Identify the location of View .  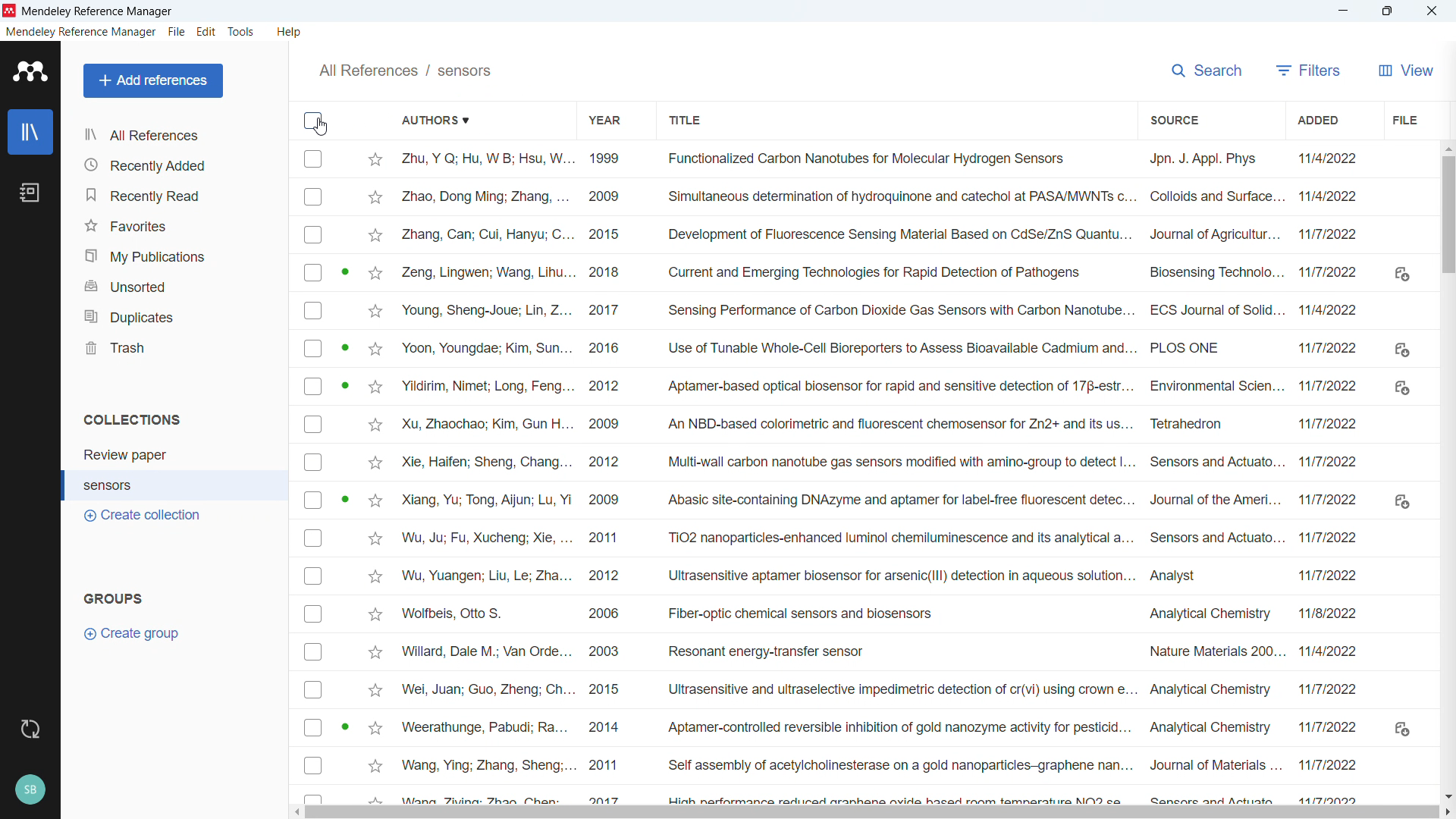
(1407, 71).